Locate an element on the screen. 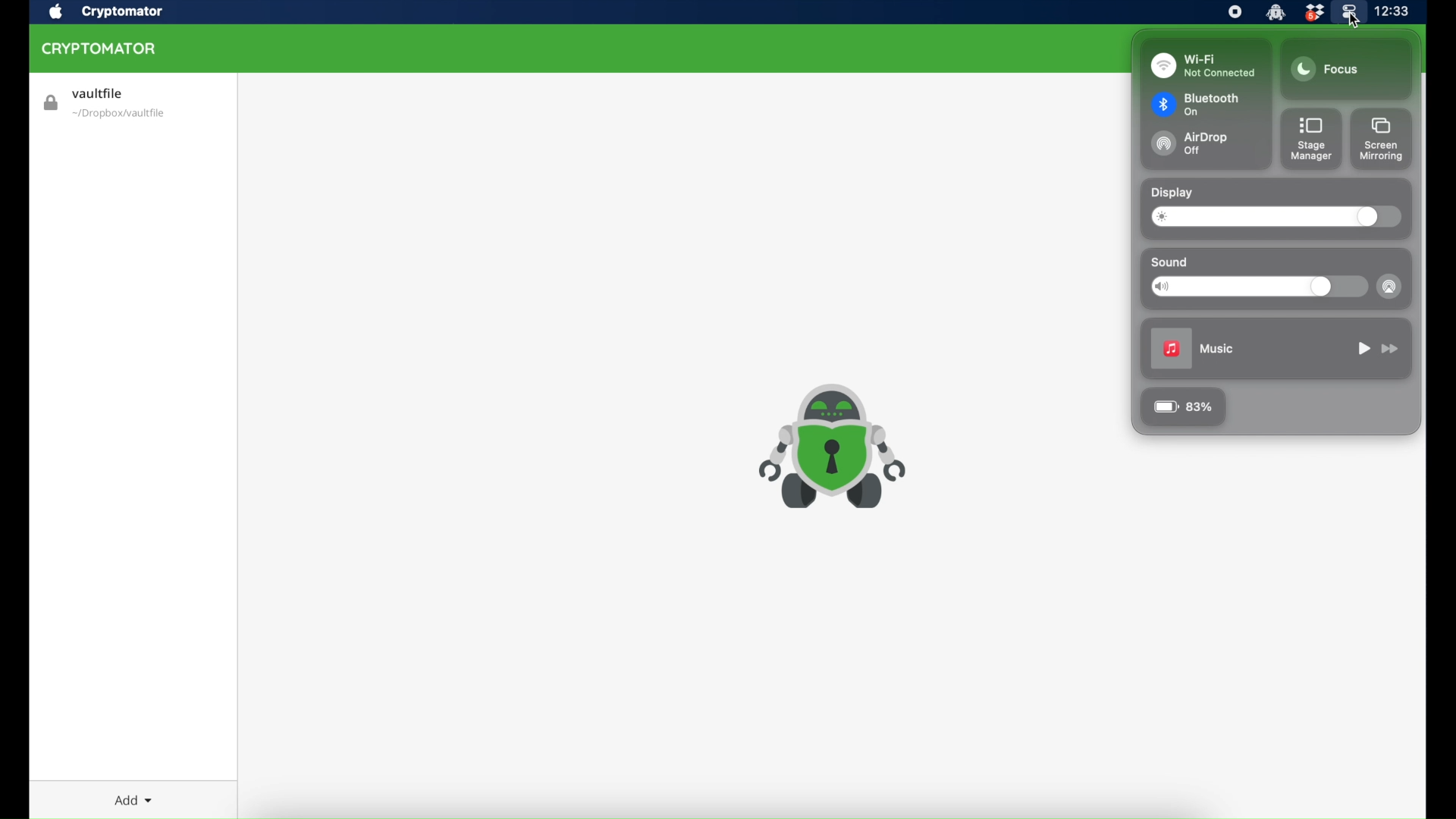  wi-fi is located at coordinates (1207, 64).